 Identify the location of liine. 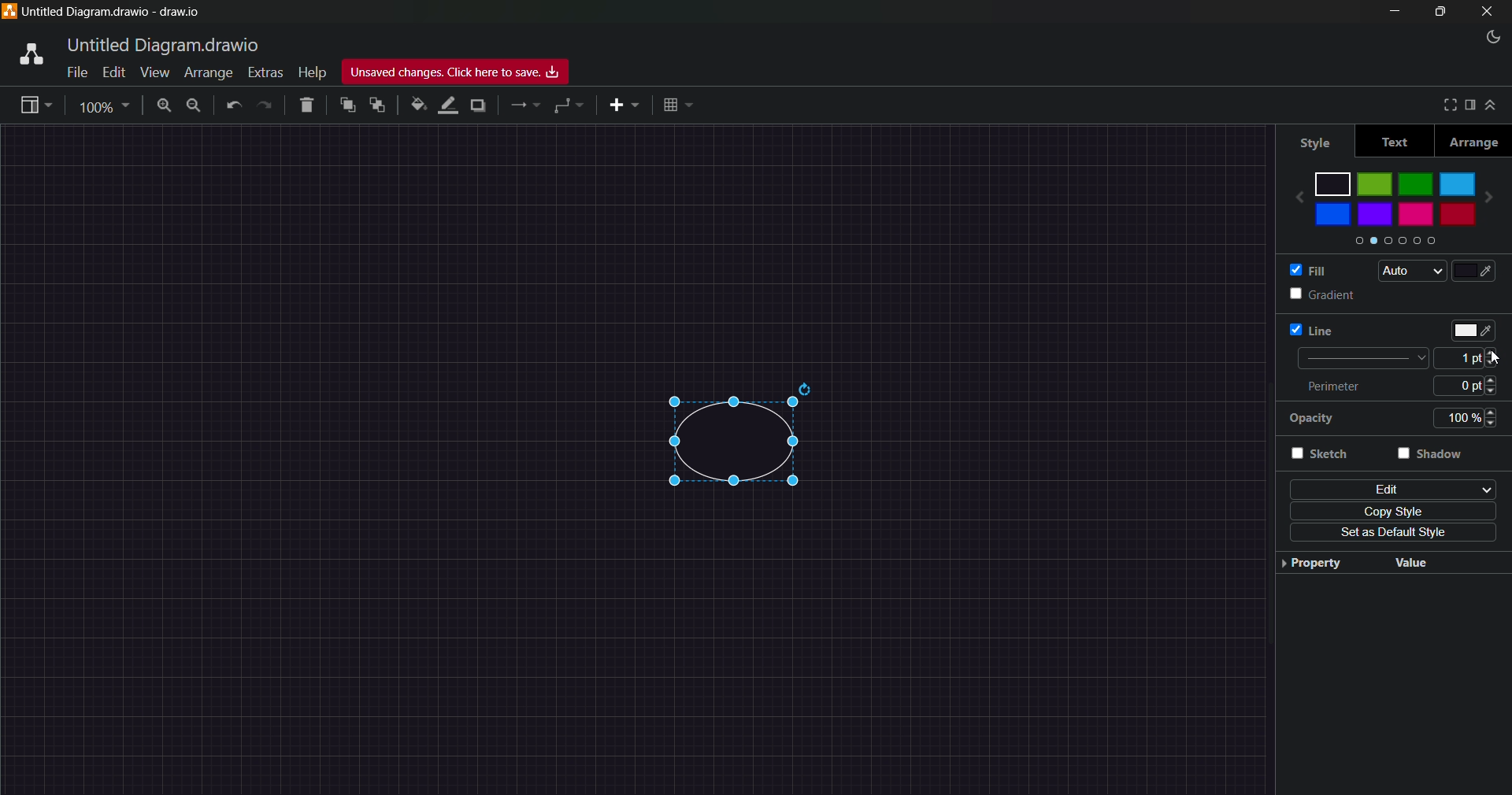
(1314, 331).